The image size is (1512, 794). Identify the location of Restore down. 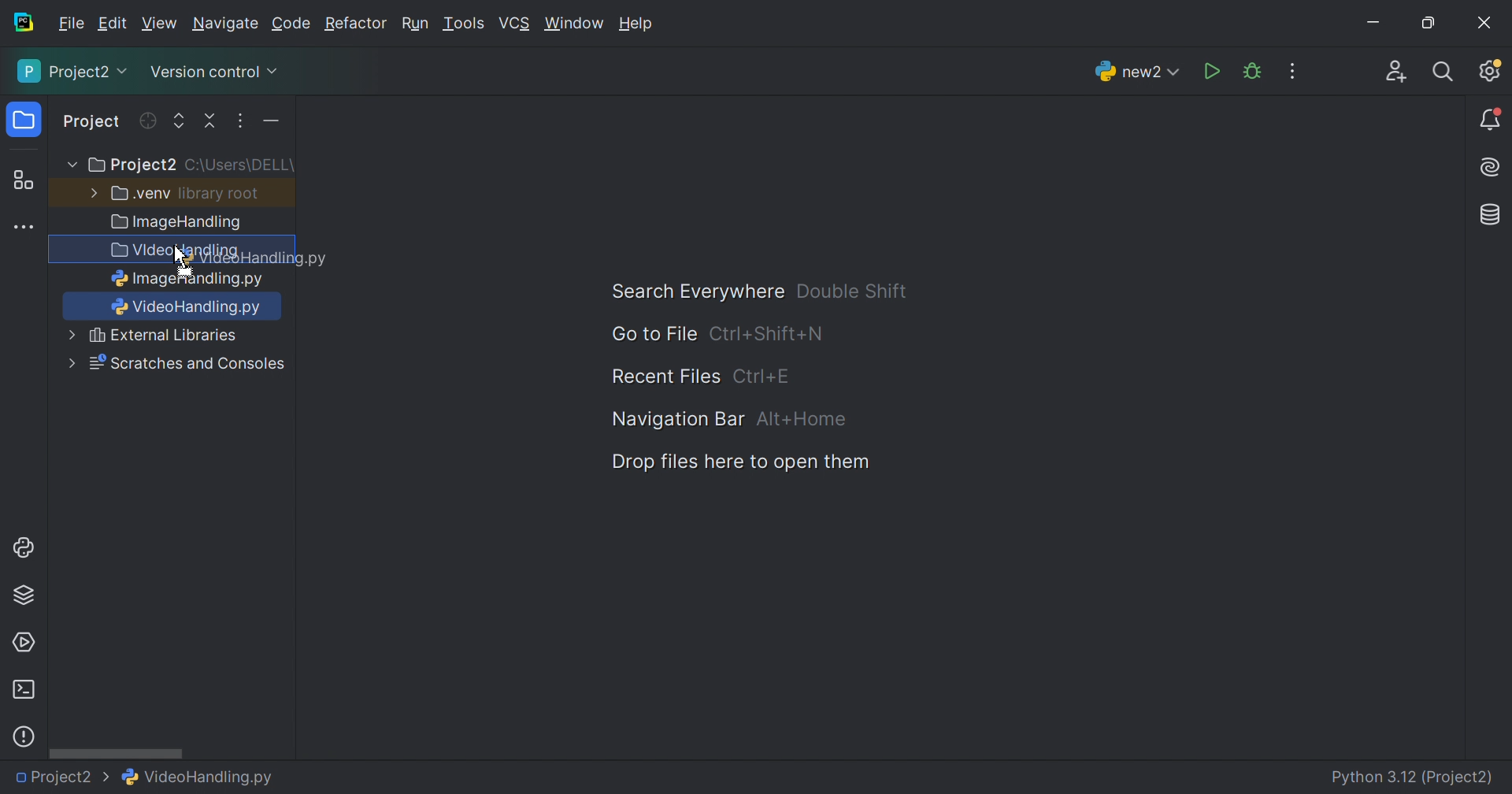
(1427, 24).